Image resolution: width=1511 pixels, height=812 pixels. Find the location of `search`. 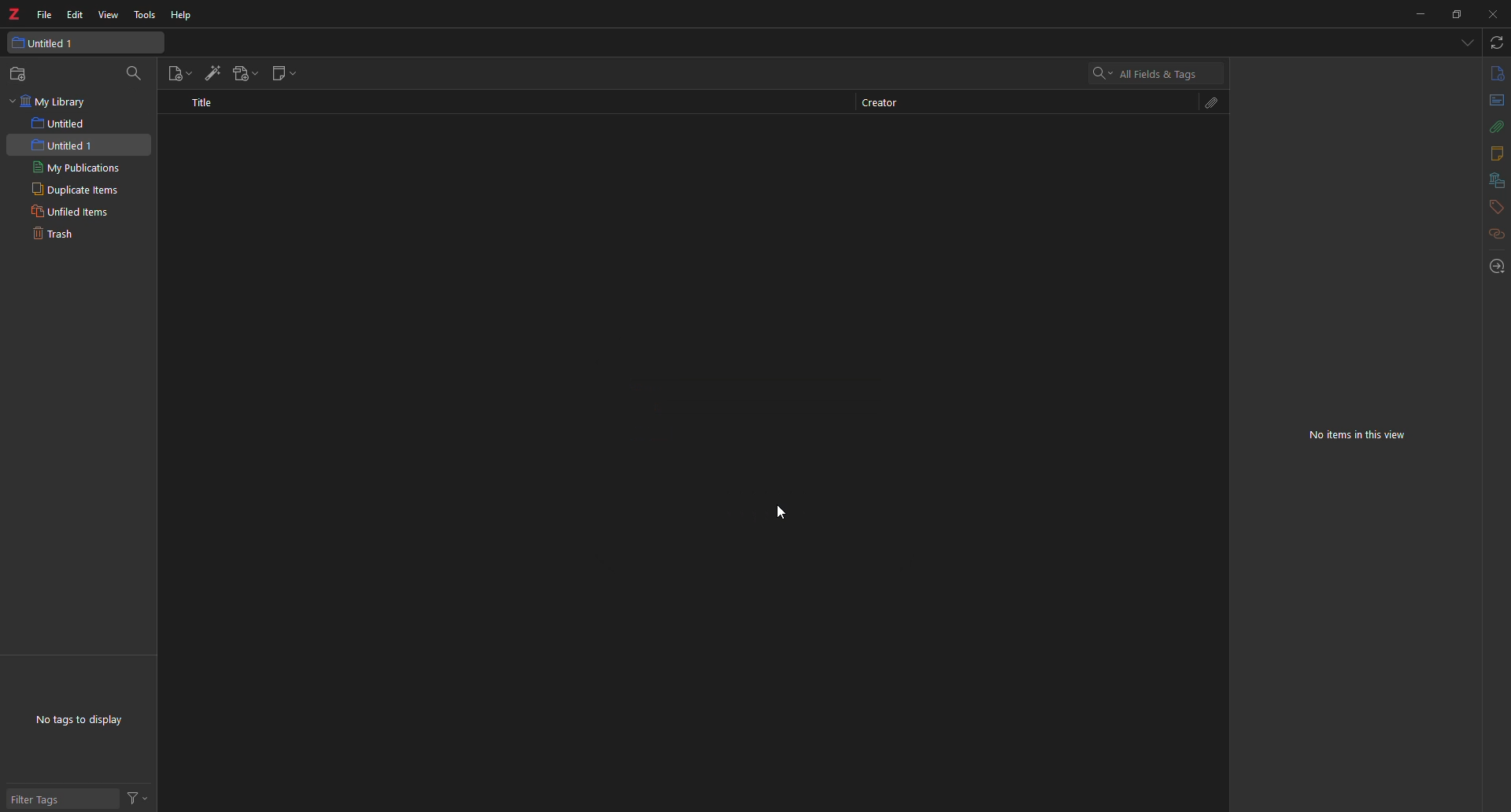

search is located at coordinates (137, 72).